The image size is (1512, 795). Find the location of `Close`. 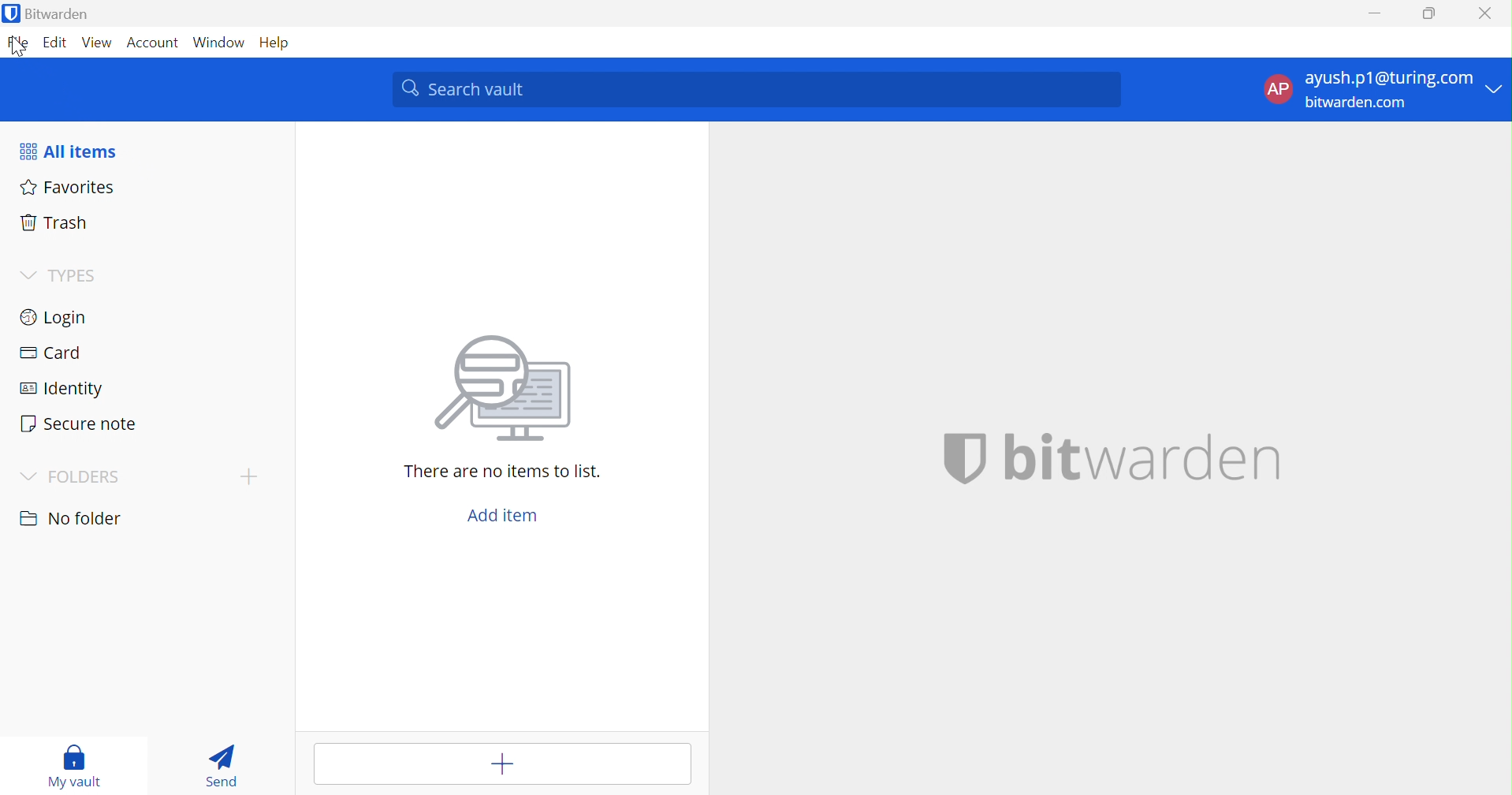

Close is located at coordinates (1484, 11).